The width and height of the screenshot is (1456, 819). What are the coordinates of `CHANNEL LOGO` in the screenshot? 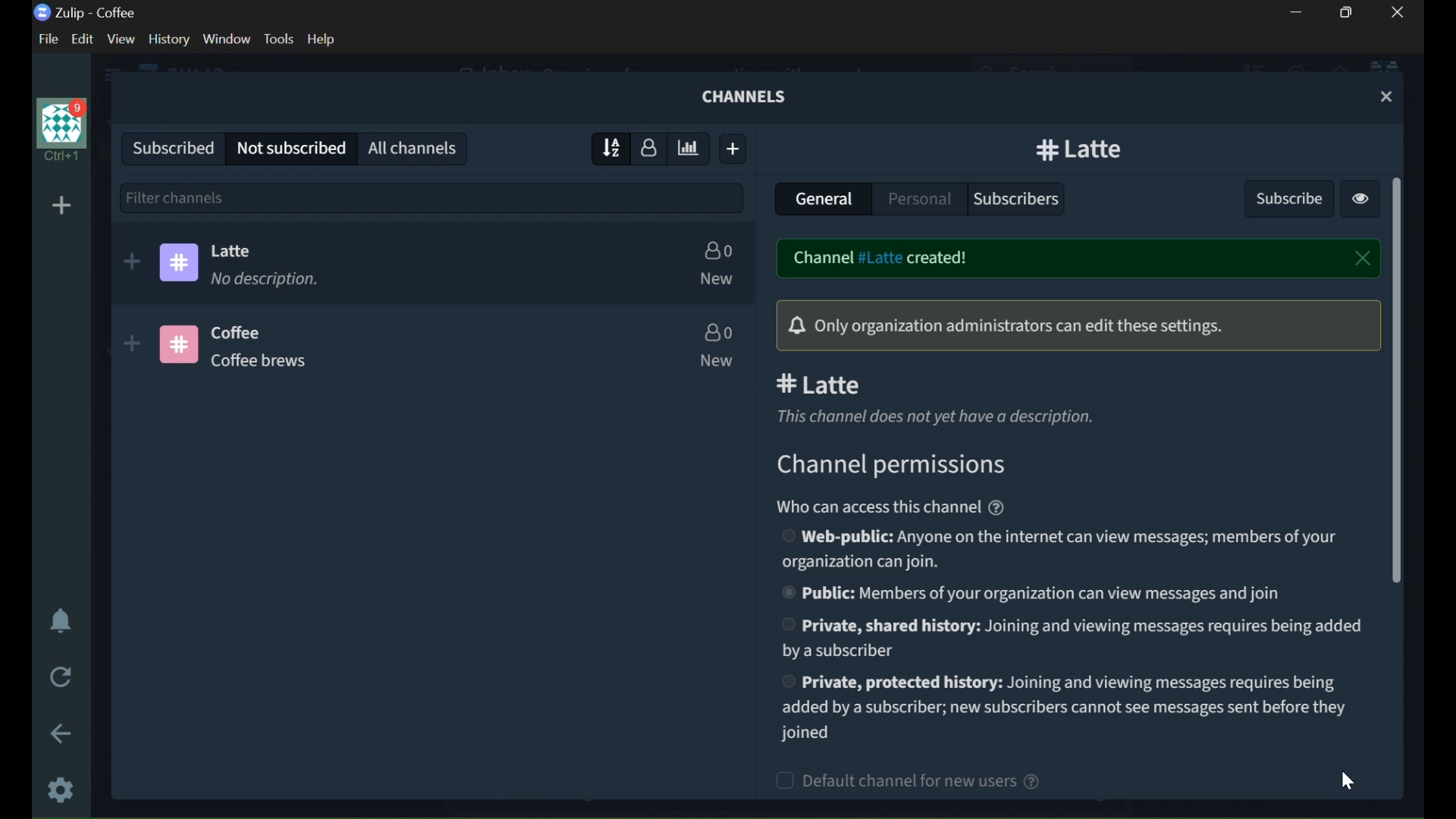 It's located at (177, 344).